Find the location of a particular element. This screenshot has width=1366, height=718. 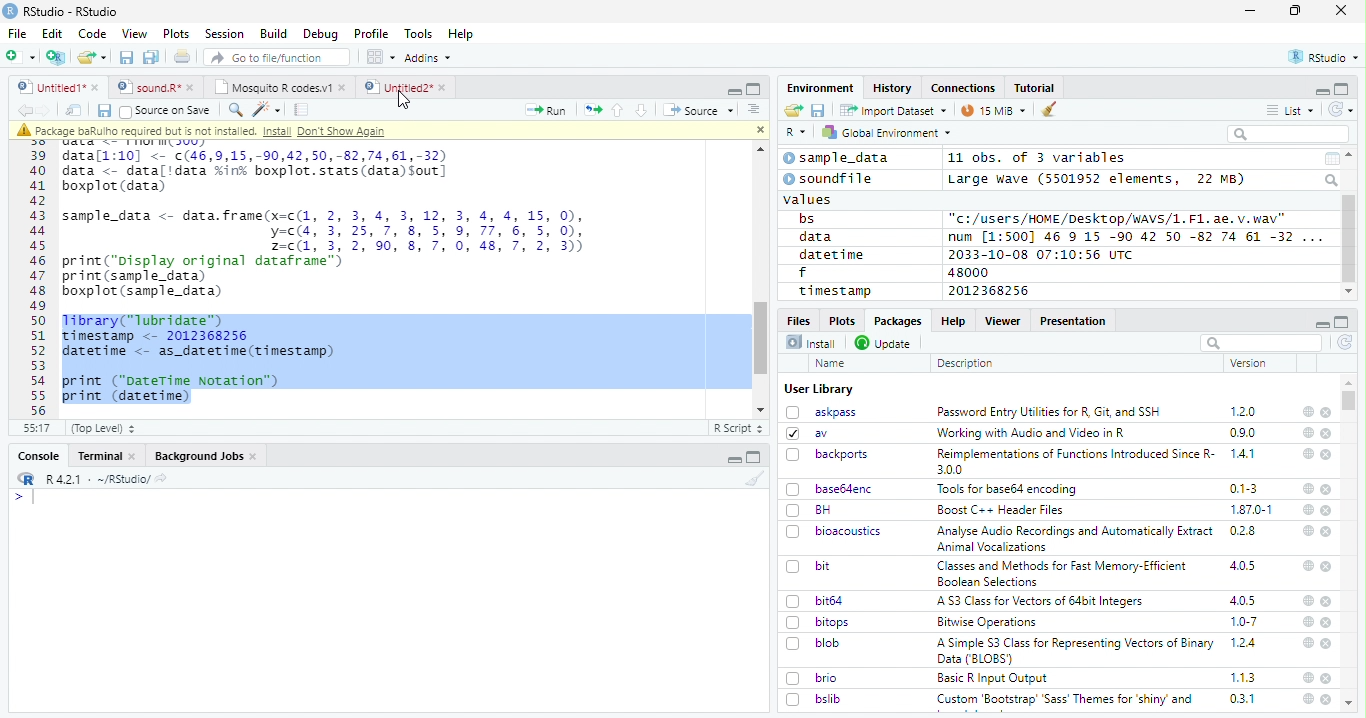

close is located at coordinates (1328, 602).